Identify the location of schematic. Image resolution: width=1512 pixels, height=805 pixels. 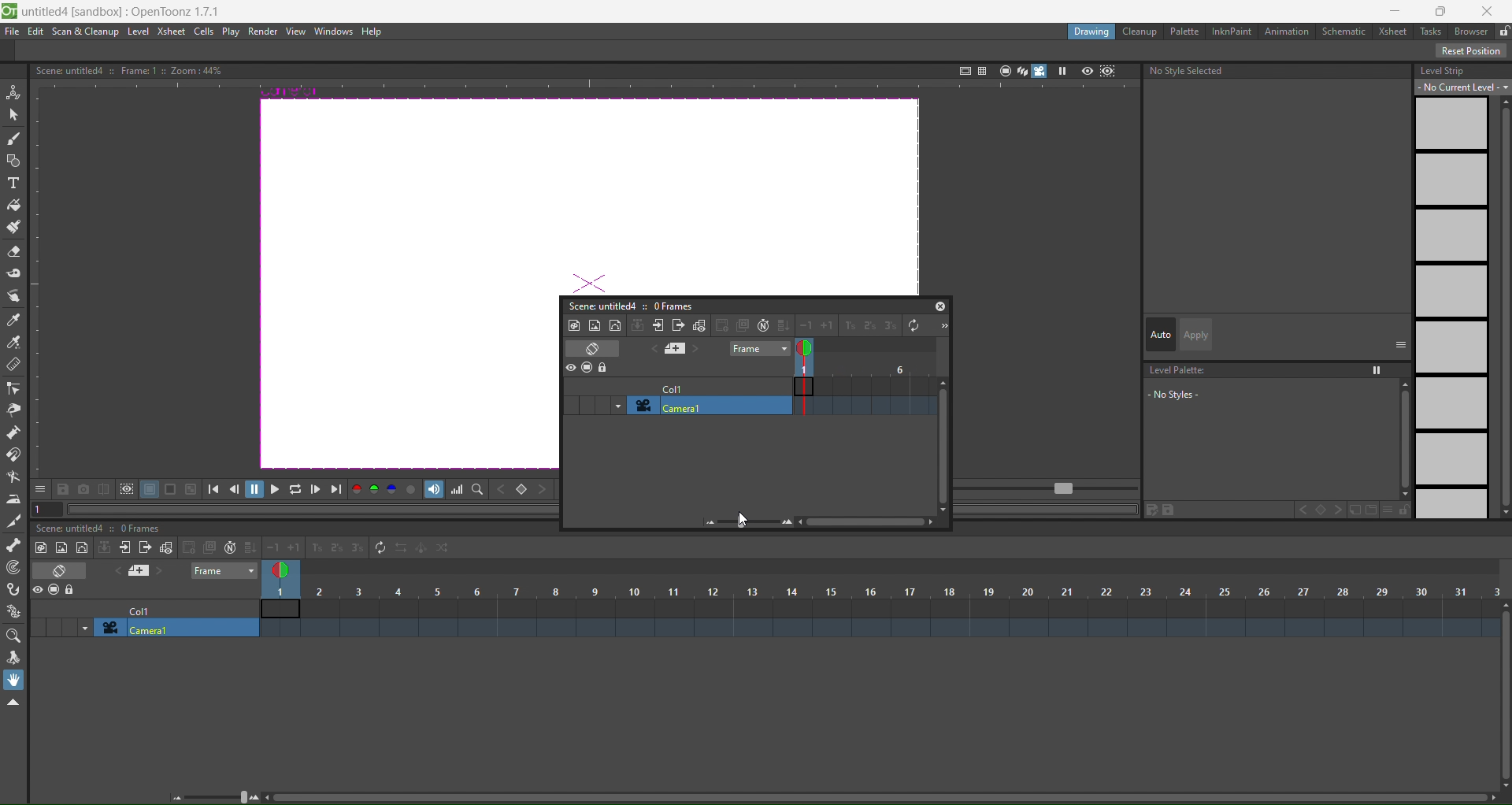
(1347, 32).